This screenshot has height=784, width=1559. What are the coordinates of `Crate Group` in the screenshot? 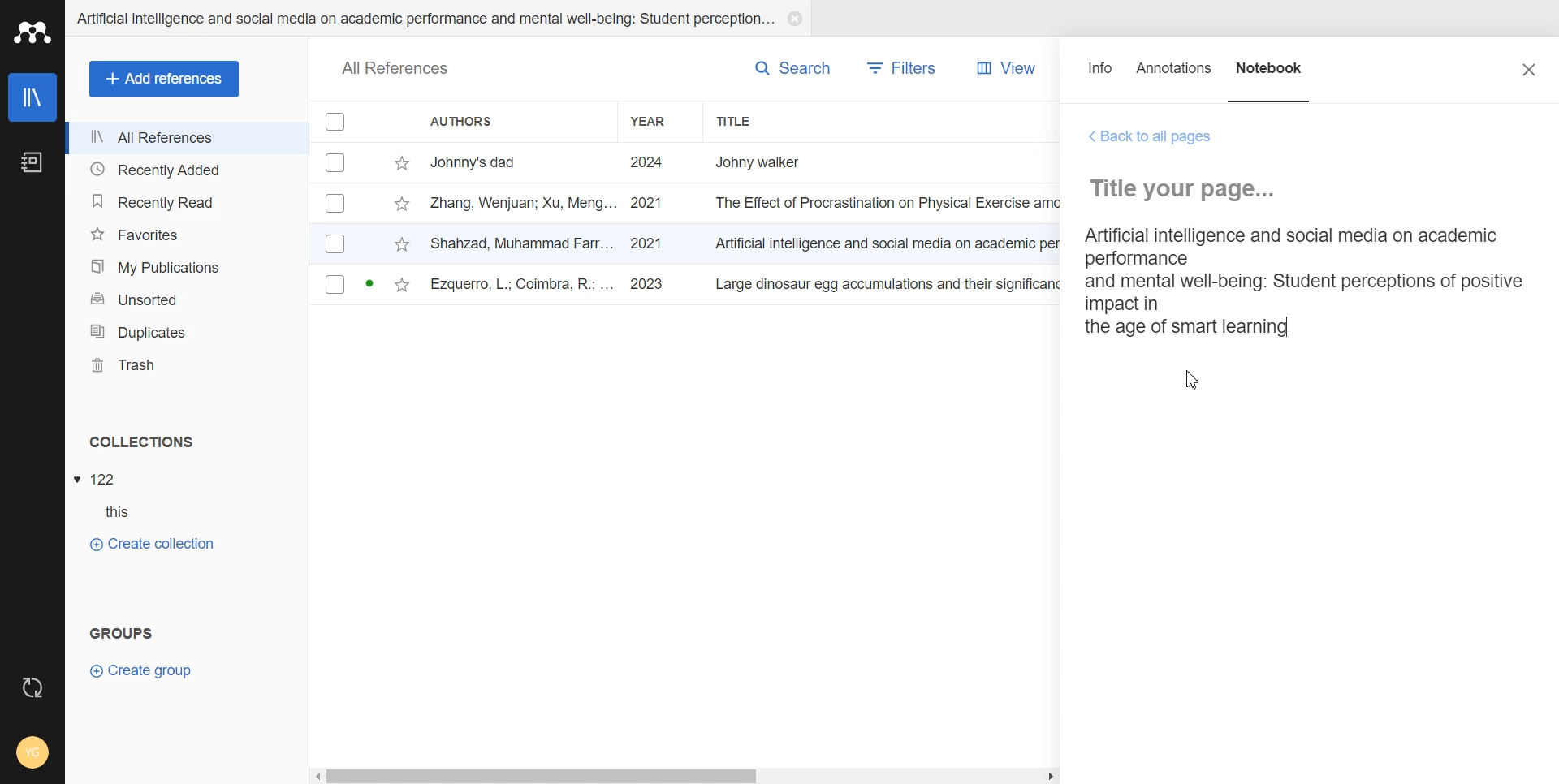 It's located at (141, 670).